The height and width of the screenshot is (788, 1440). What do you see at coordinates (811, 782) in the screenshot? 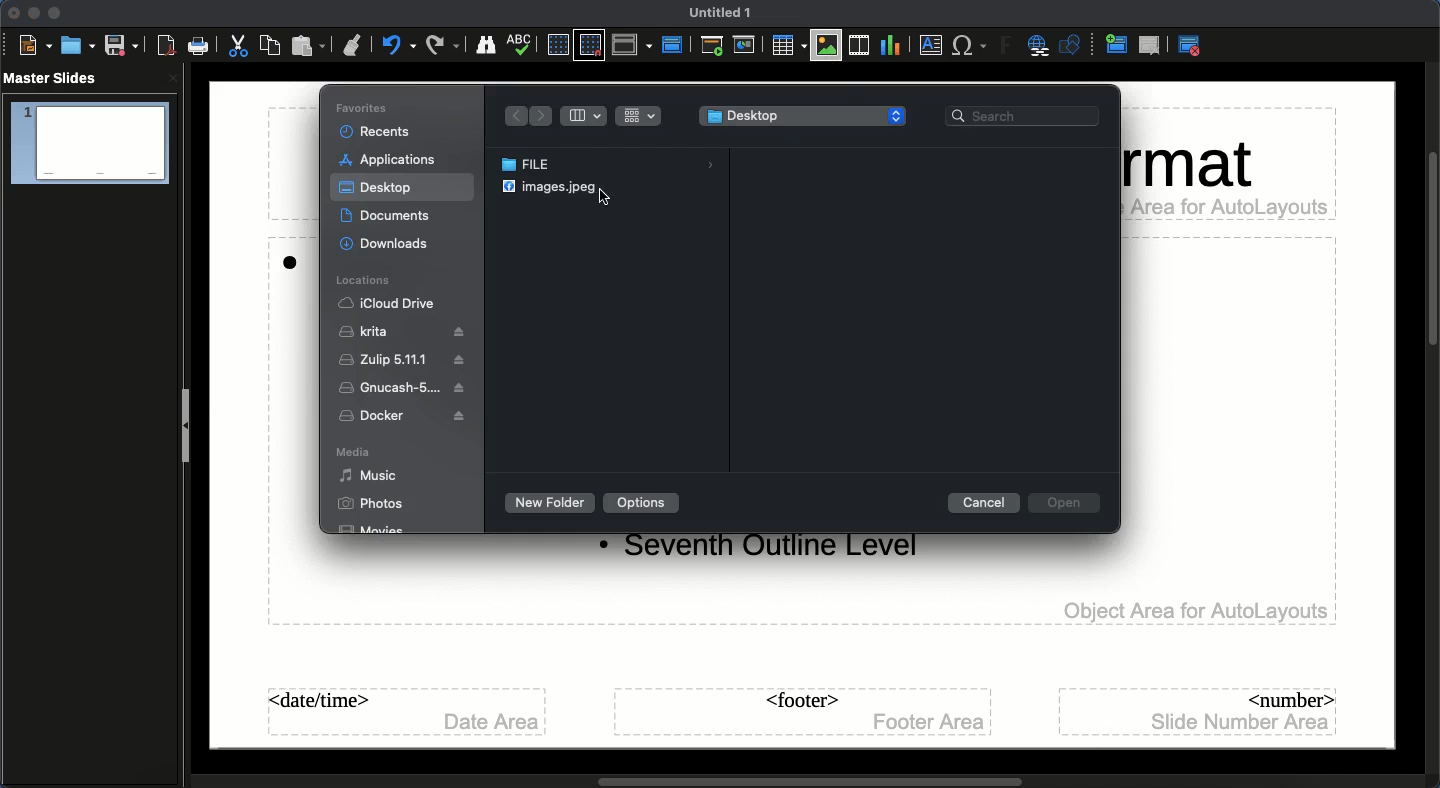
I see `Scroll bar` at bounding box center [811, 782].